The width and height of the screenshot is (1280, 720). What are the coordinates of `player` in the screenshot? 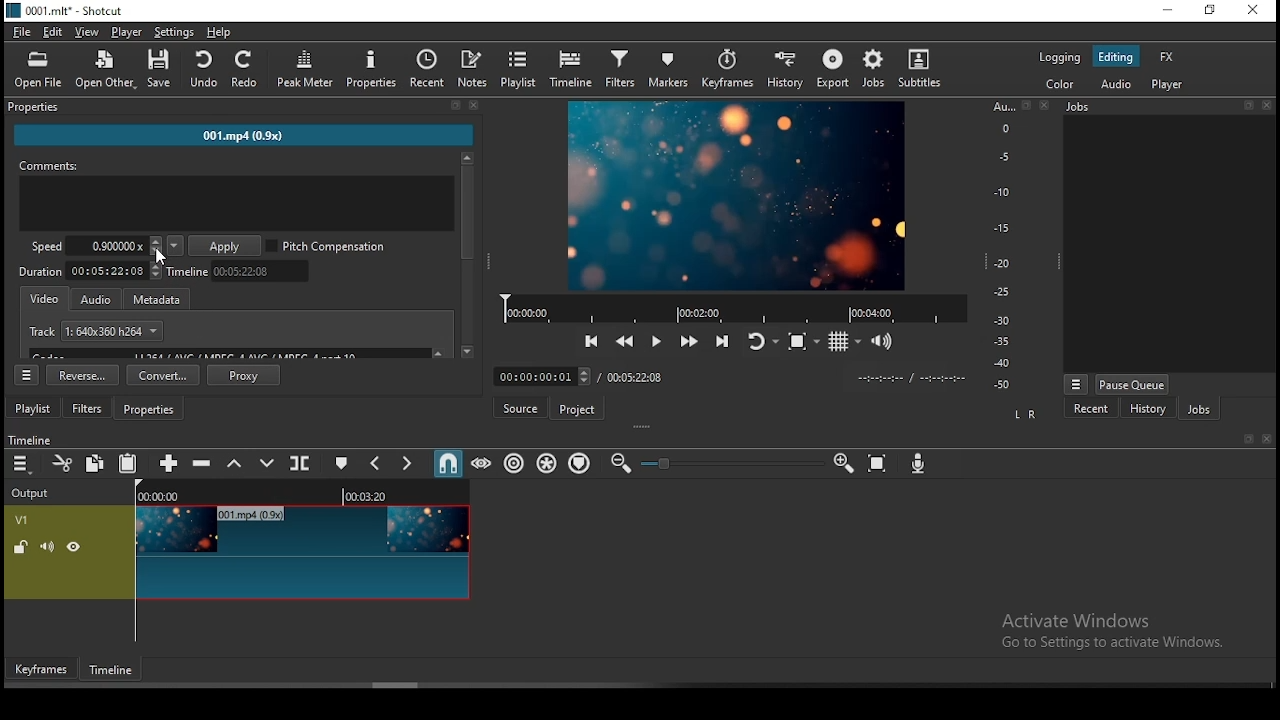 It's located at (1167, 84).